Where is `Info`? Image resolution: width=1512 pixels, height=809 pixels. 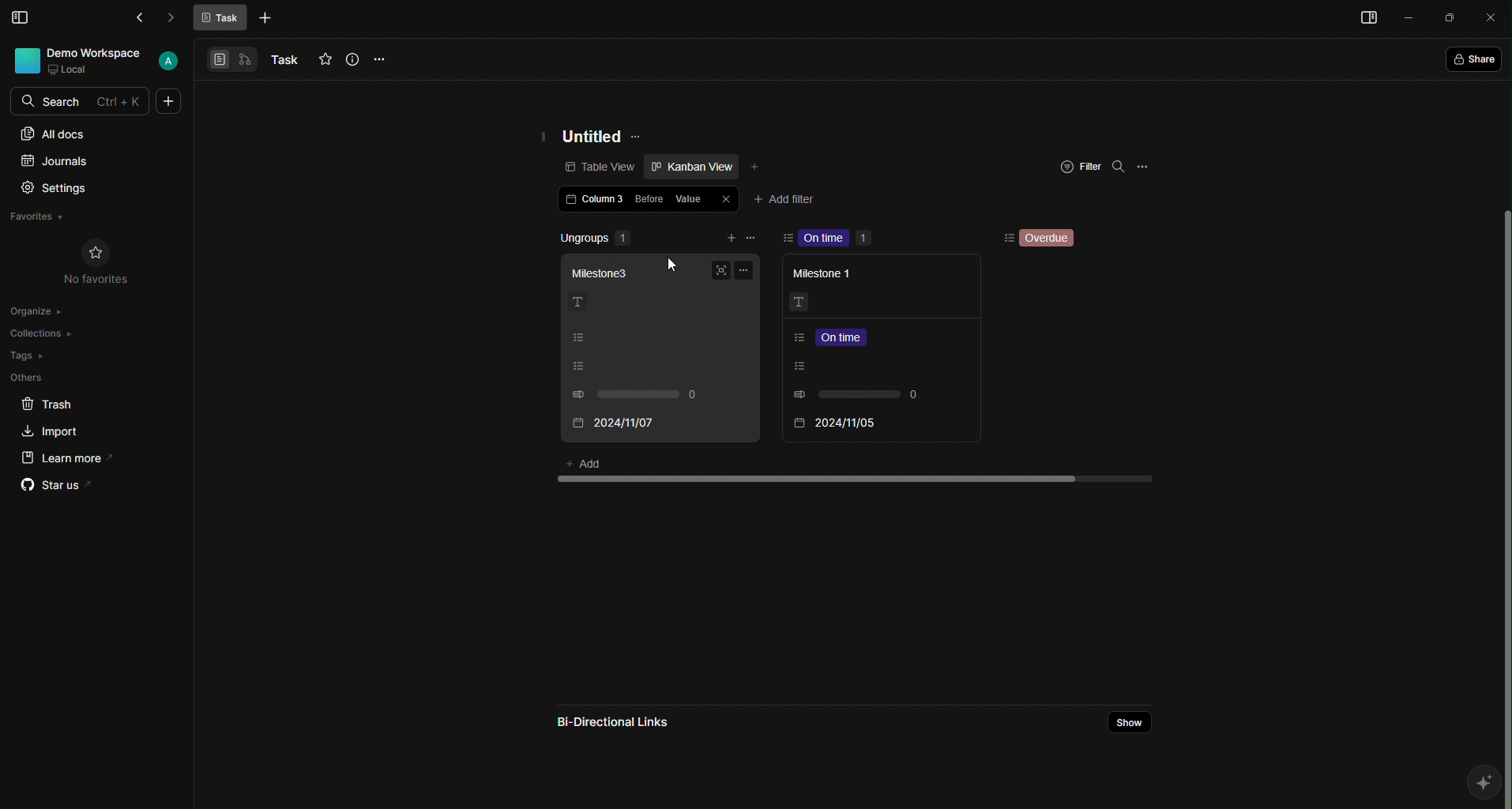 Info is located at coordinates (351, 58).